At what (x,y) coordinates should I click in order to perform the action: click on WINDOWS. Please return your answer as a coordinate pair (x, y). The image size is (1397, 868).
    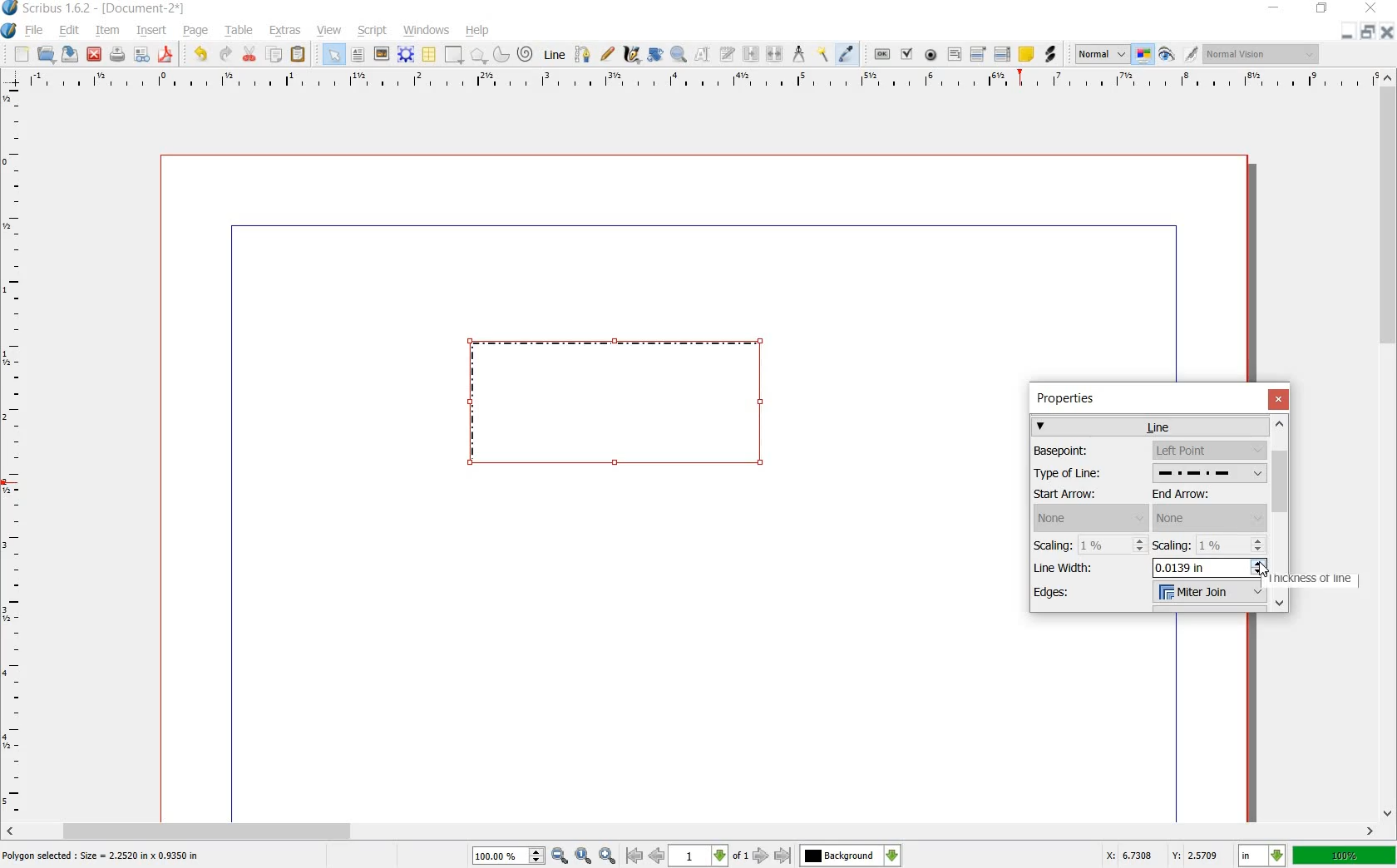
    Looking at the image, I should click on (427, 31).